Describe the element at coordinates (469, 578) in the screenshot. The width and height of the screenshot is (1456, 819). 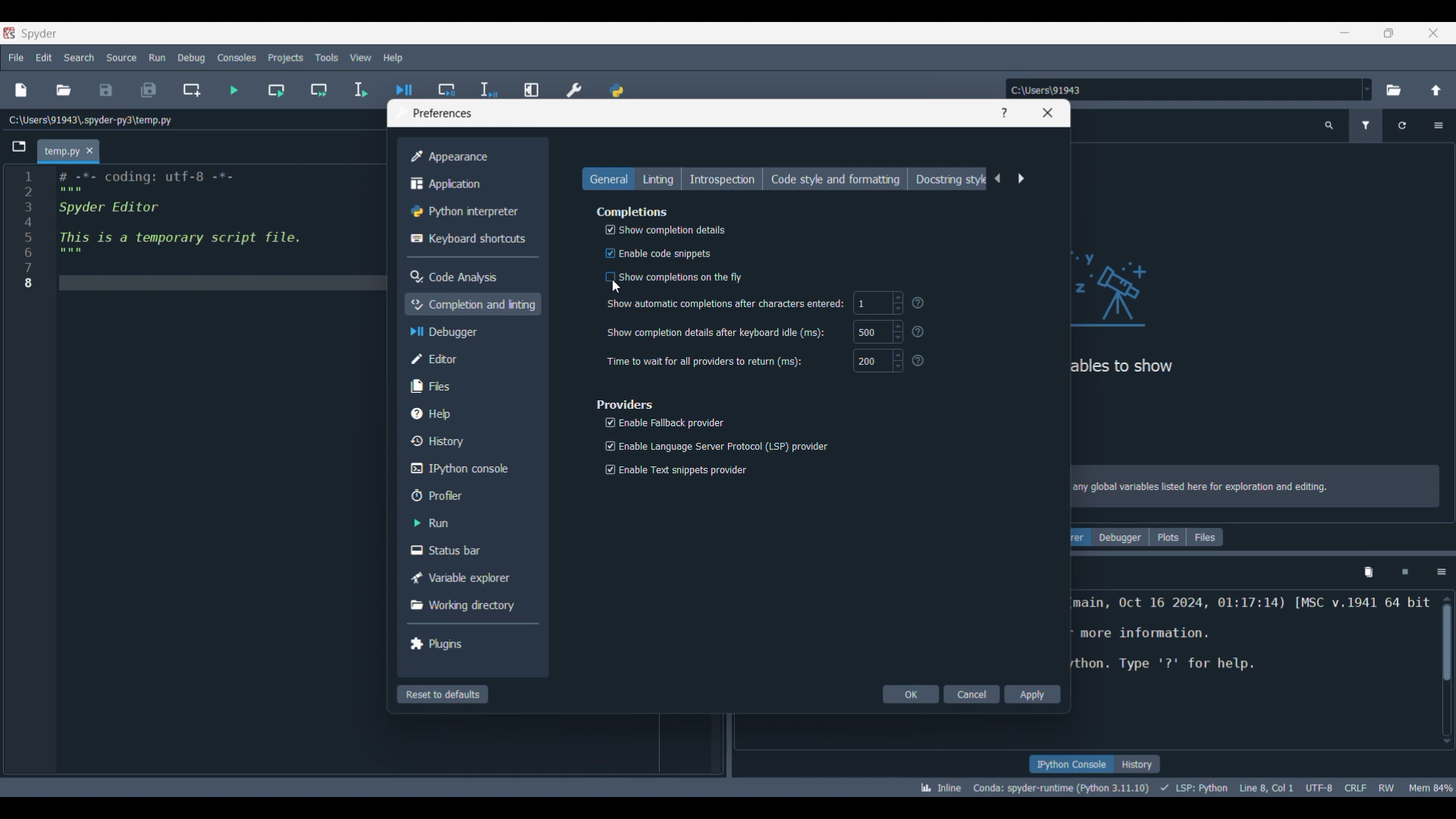
I see `Variable explorer` at that location.